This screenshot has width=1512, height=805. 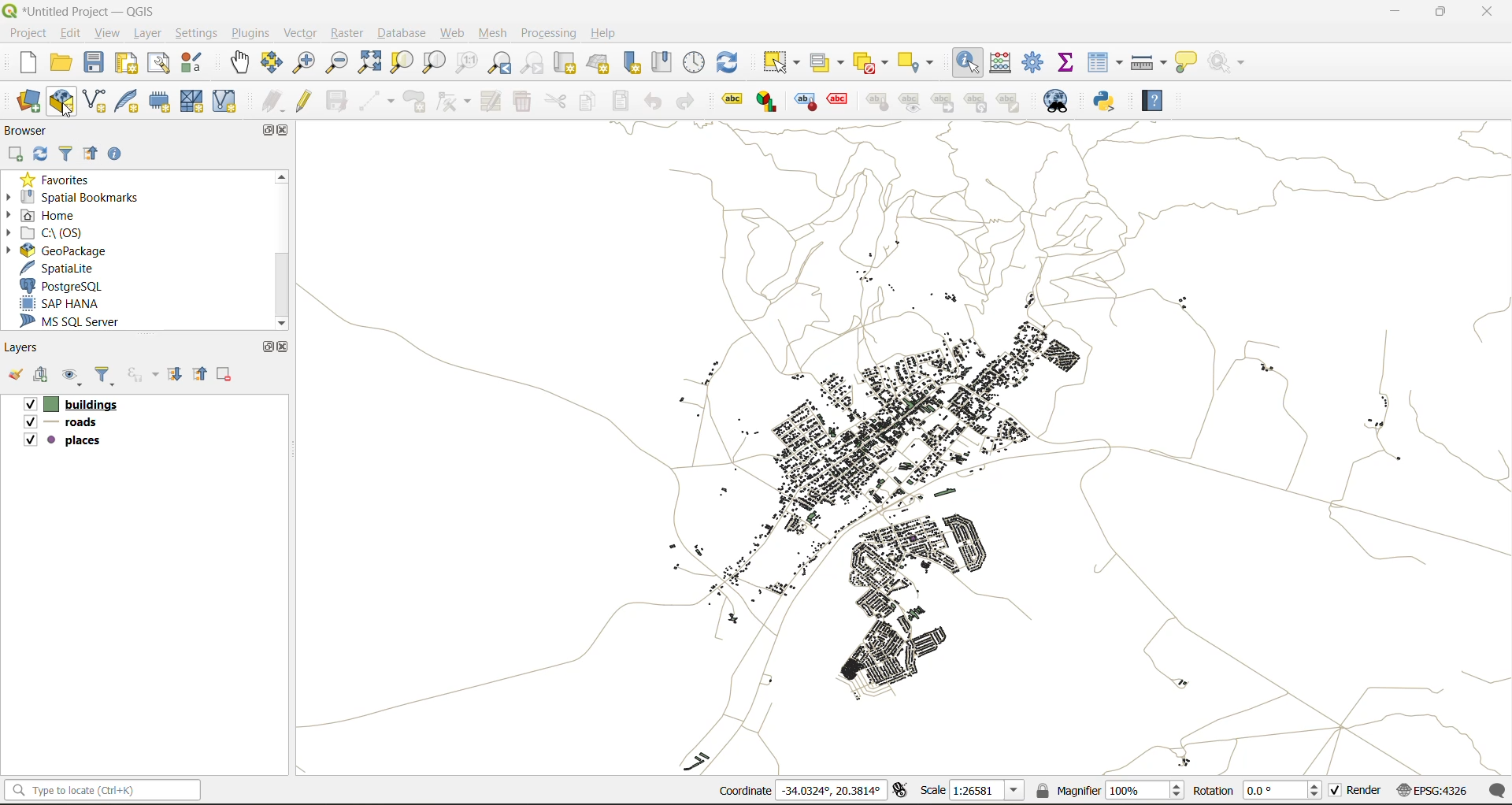 I want to click on print layout, so click(x=128, y=65).